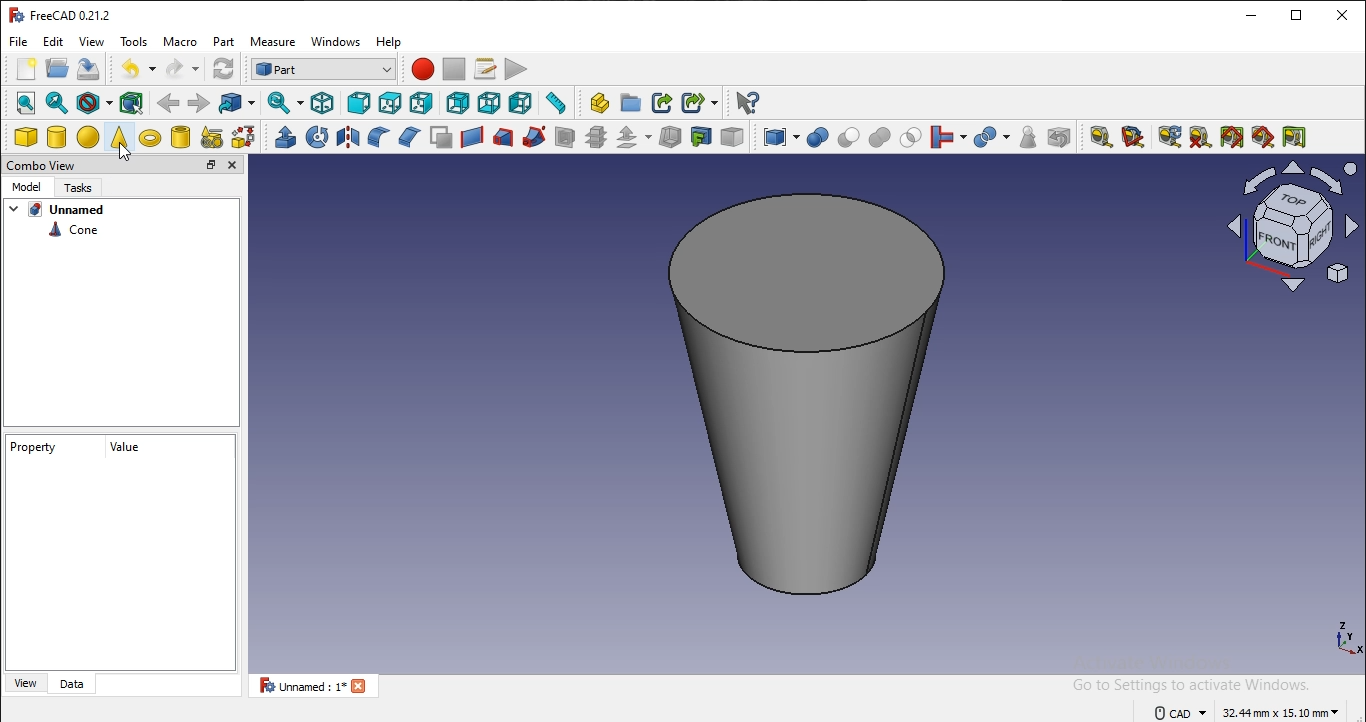 This screenshot has width=1366, height=722. Describe the element at coordinates (168, 103) in the screenshot. I see `backward` at that location.